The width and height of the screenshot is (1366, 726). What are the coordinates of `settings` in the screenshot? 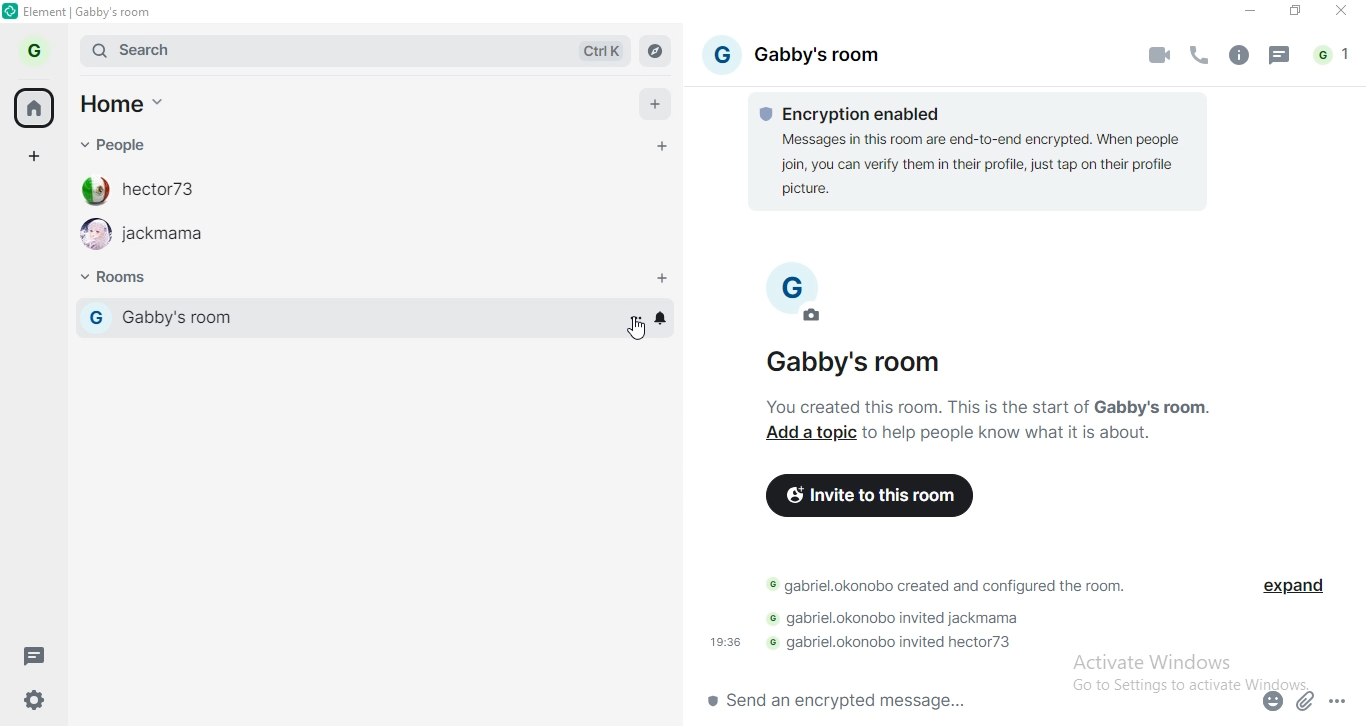 It's located at (34, 701).